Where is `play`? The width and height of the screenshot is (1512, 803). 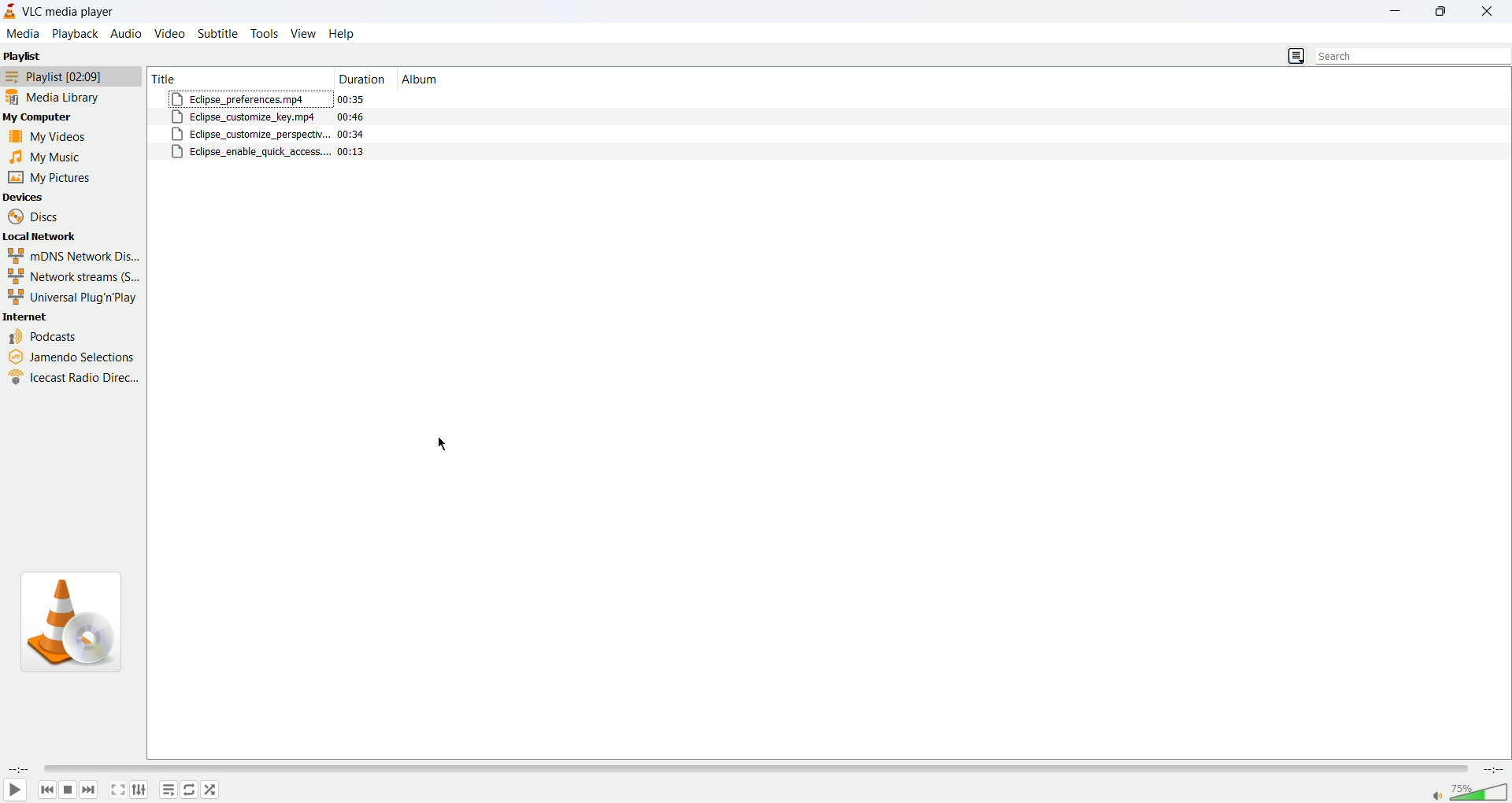
play is located at coordinates (16, 789).